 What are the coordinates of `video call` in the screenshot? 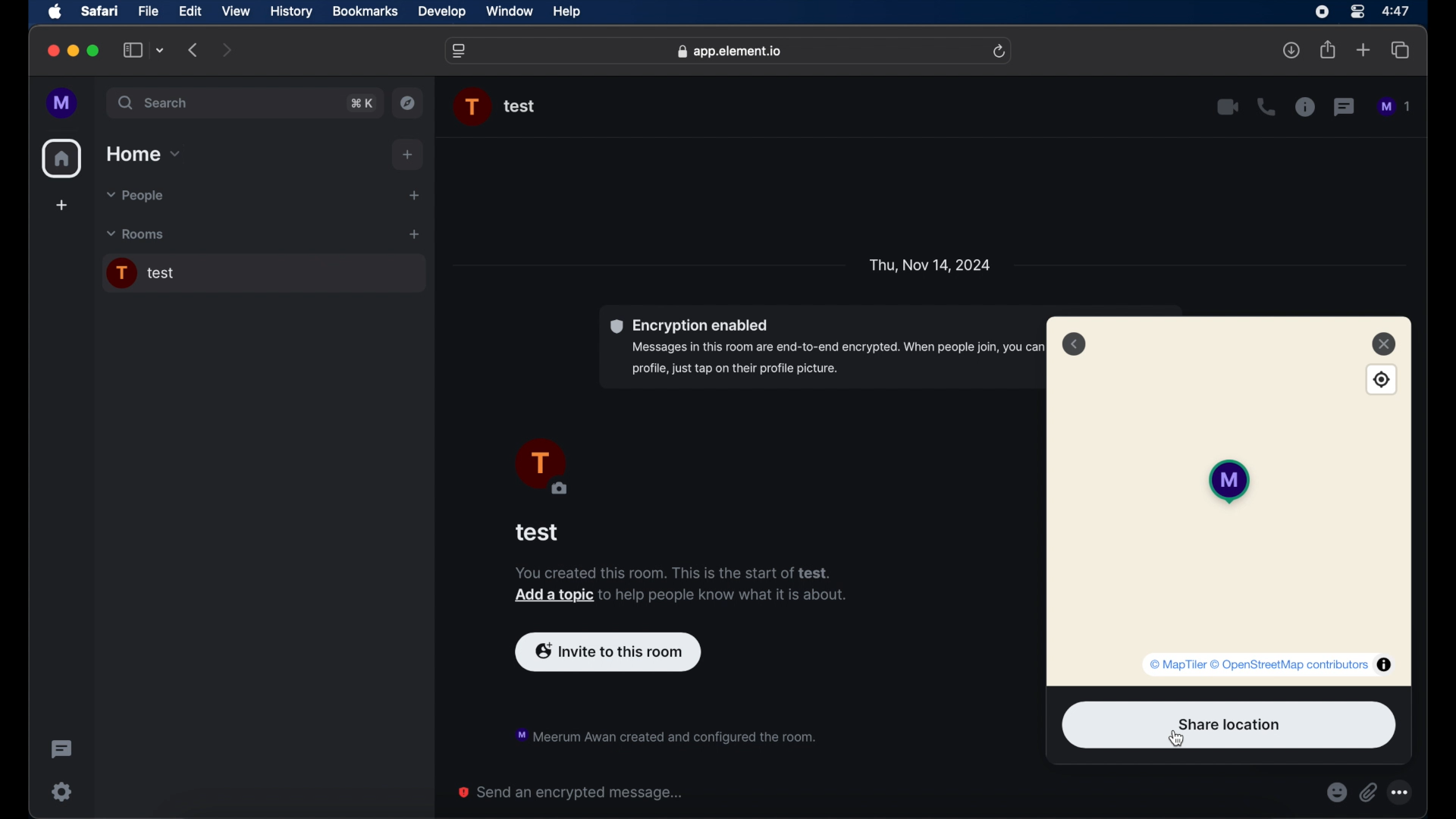 It's located at (1228, 107).